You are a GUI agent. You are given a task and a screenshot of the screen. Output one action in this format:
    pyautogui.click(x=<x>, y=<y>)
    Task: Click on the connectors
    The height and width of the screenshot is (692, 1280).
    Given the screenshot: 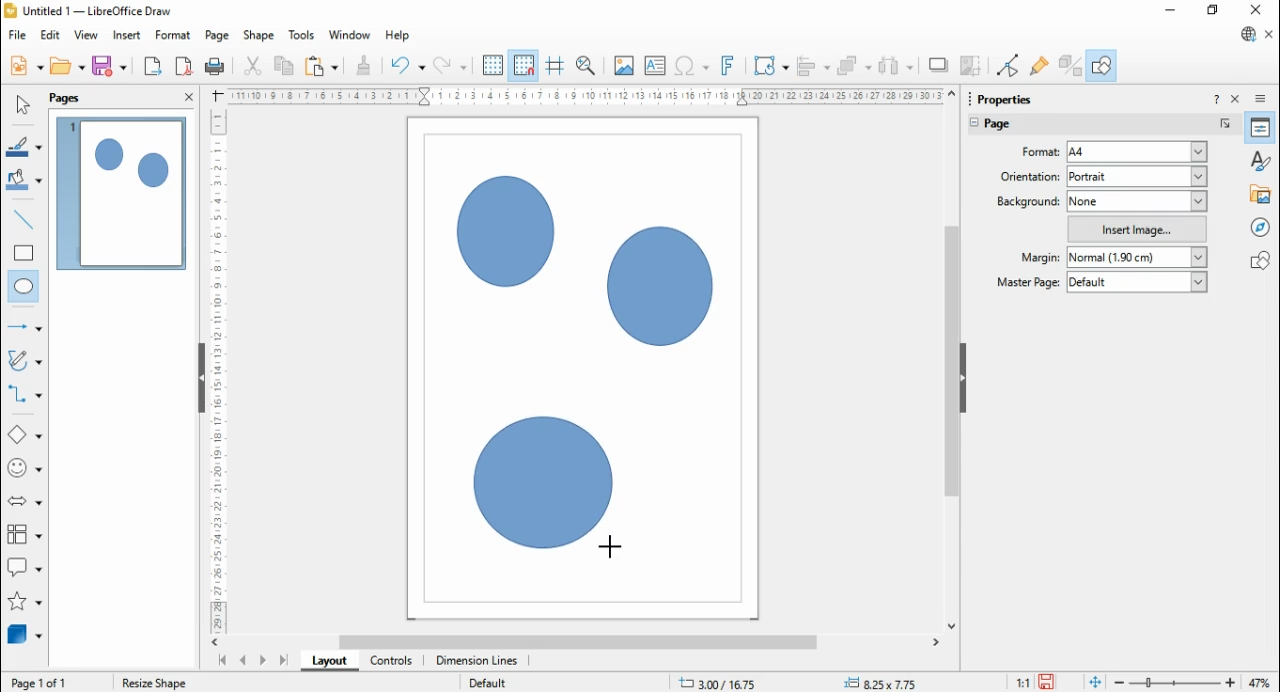 What is the action you would take?
    pyautogui.click(x=25, y=394)
    